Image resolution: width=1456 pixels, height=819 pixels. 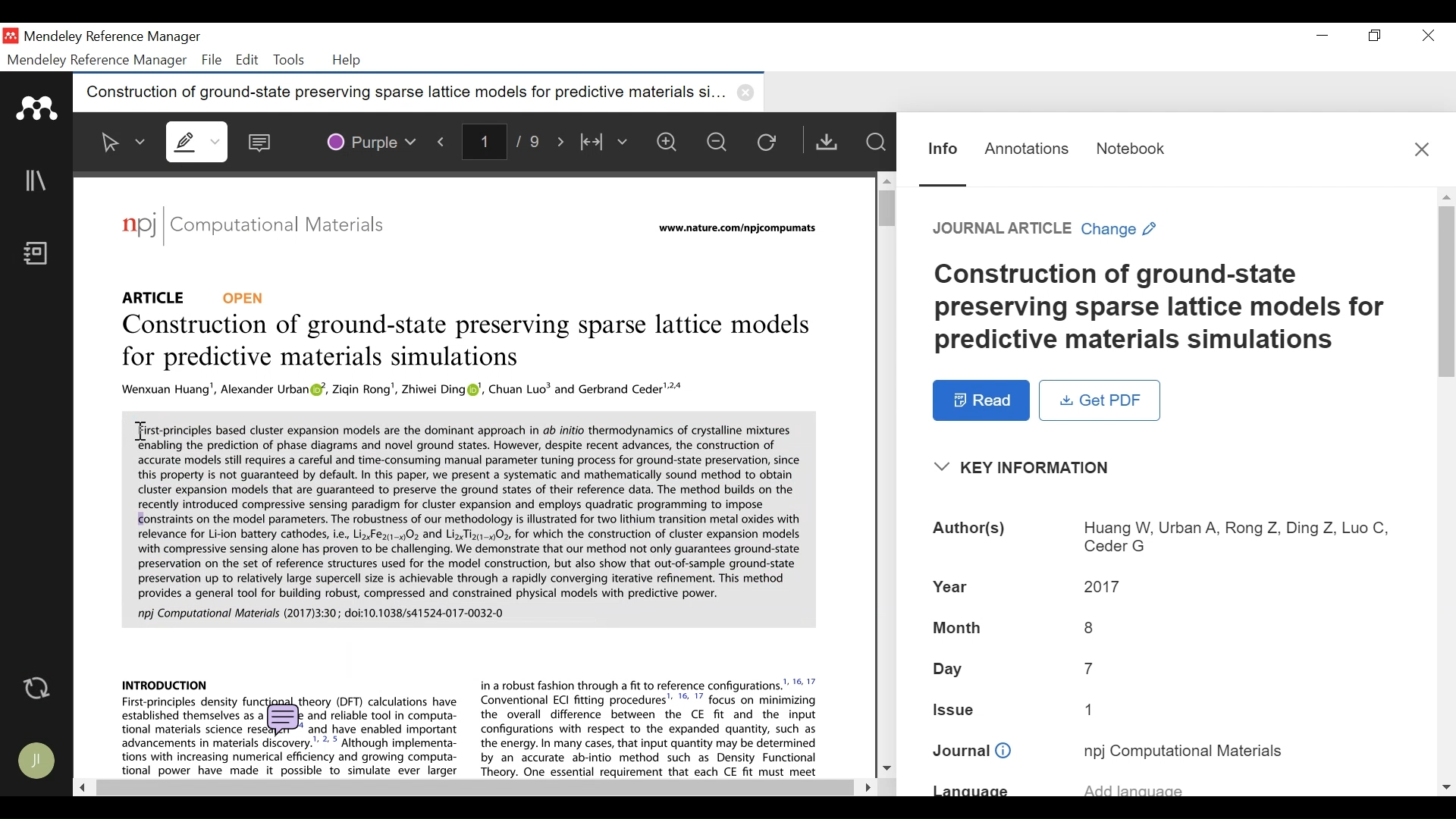 I want to click on Horizontal Scroll bar, so click(x=472, y=788).